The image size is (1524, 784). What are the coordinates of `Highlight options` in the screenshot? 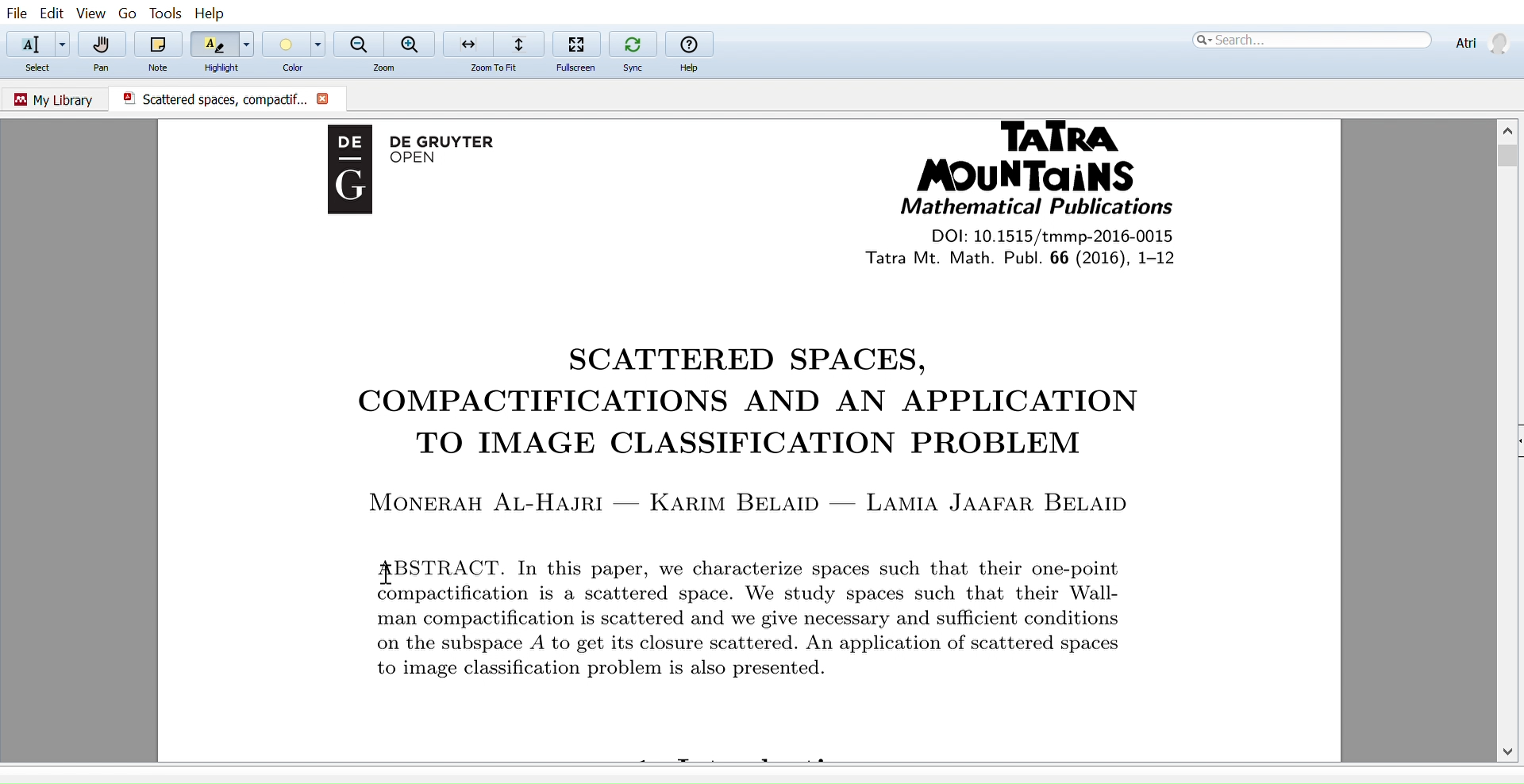 It's located at (250, 44).